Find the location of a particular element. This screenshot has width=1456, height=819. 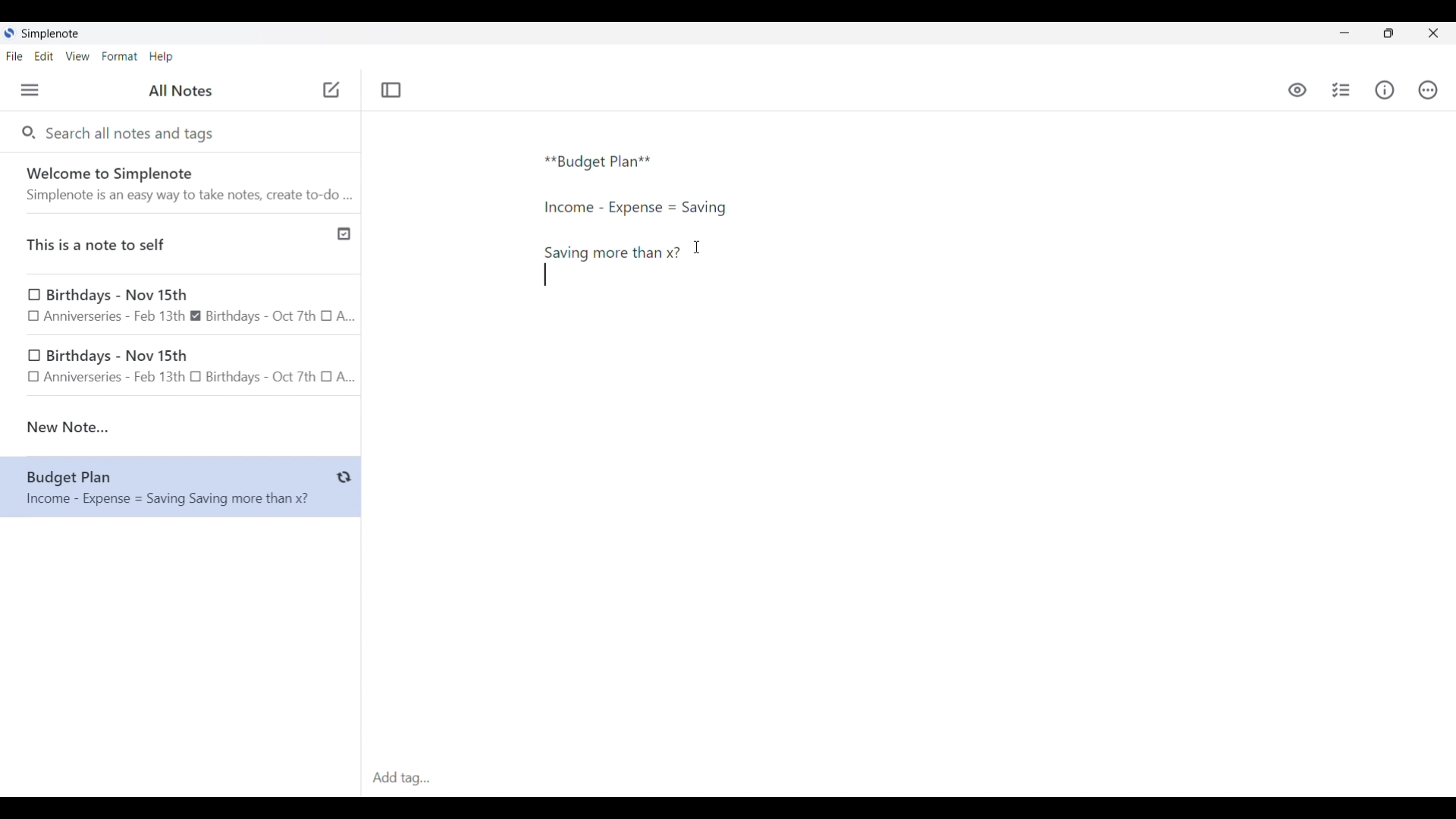

Show interface in a smaller tab is located at coordinates (1389, 33).